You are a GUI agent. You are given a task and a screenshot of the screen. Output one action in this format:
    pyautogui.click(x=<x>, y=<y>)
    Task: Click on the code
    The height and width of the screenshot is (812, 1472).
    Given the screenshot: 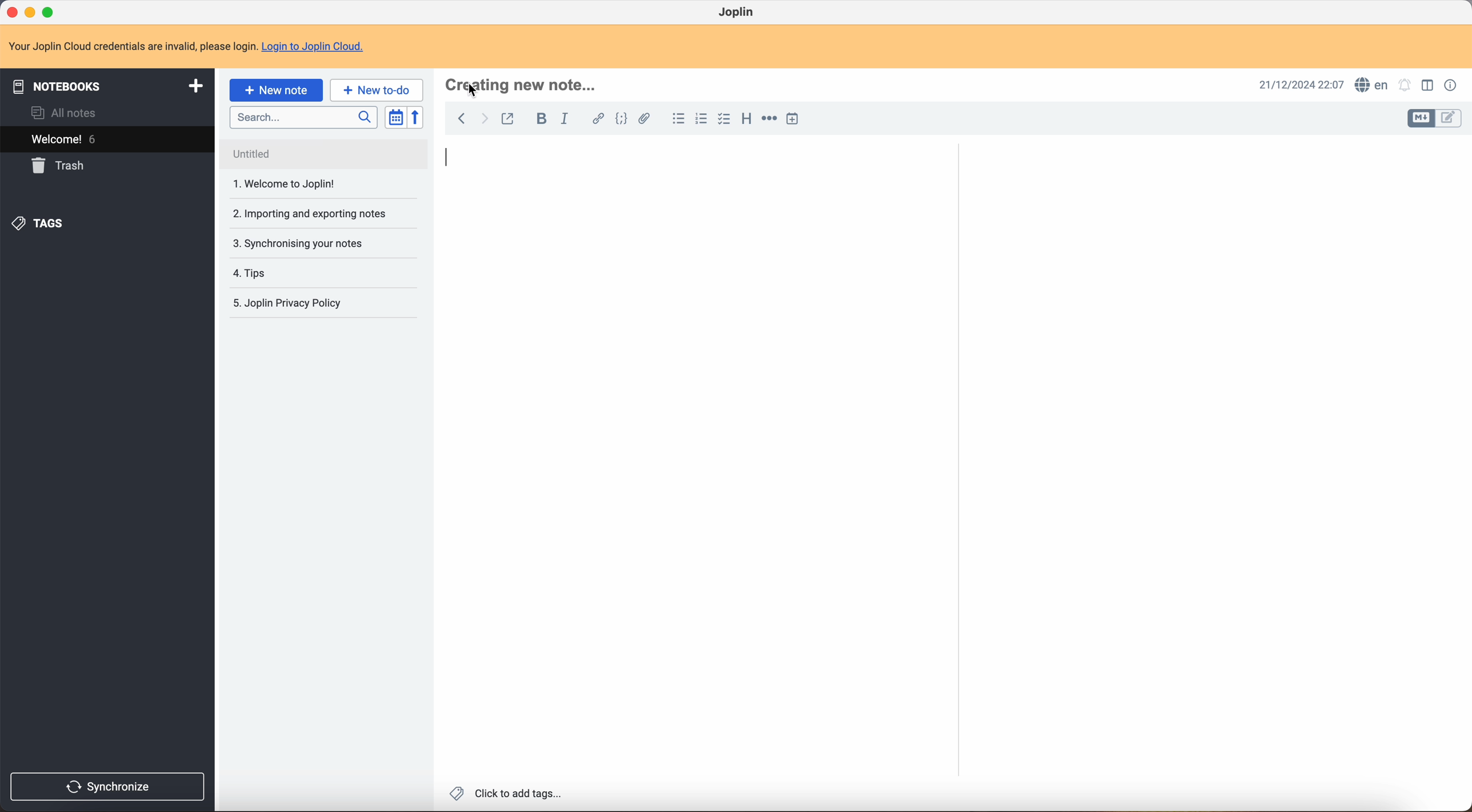 What is the action you would take?
    pyautogui.click(x=622, y=121)
    